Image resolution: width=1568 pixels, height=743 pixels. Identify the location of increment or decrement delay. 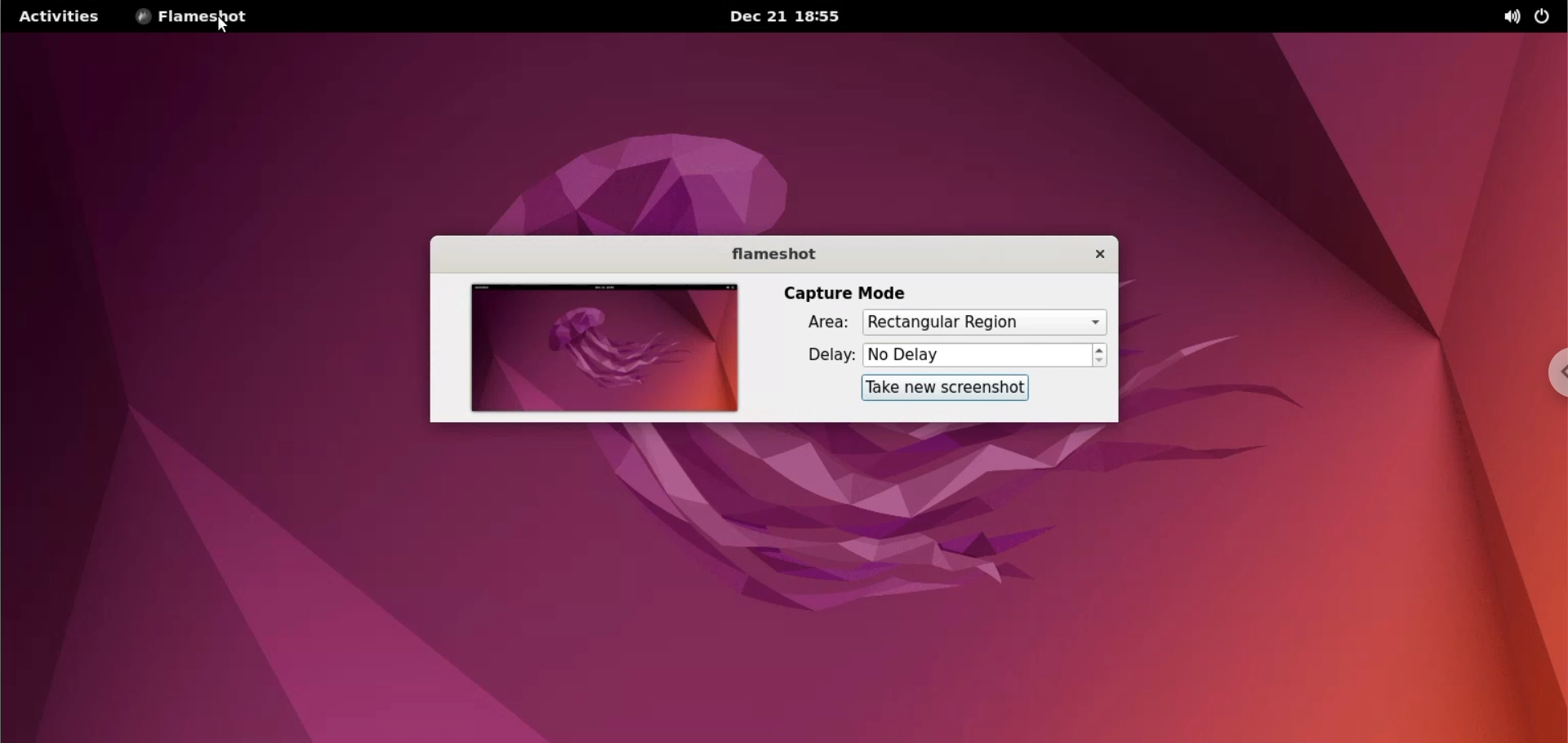
(1100, 356).